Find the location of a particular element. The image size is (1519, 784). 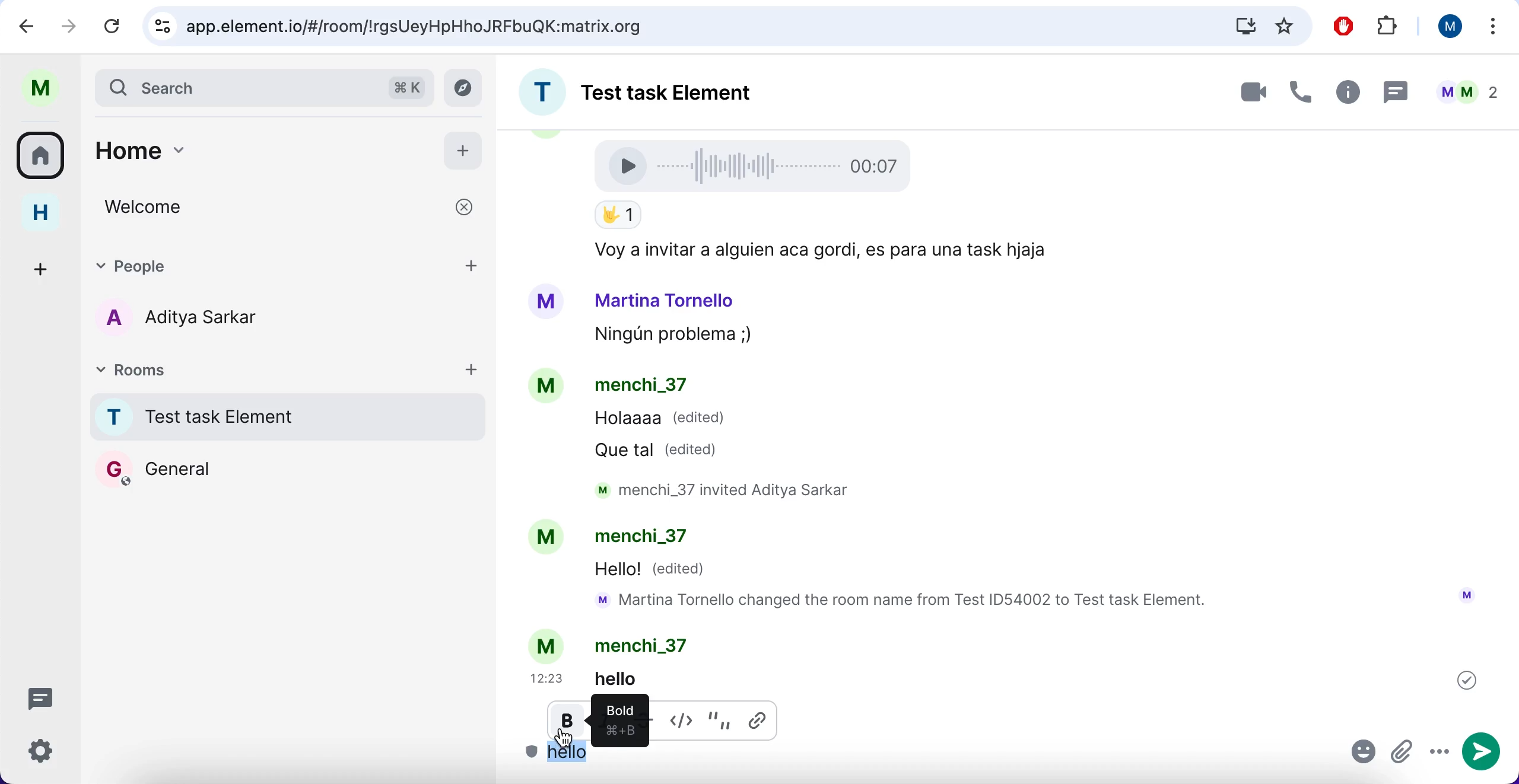

Ningun problema ;, is located at coordinates (667, 336).